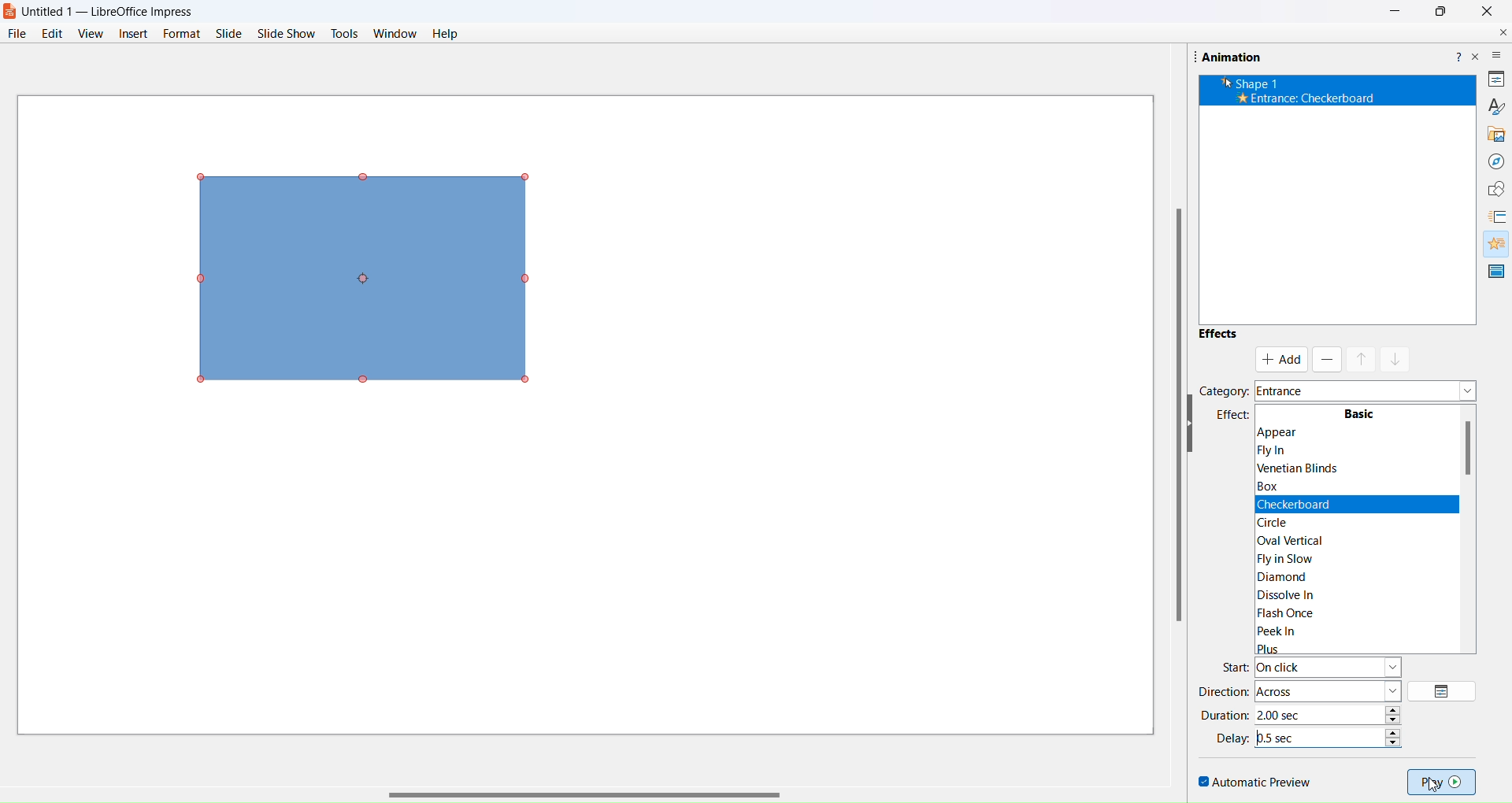 This screenshot has height=803, width=1512. What do you see at coordinates (1457, 54) in the screenshot?
I see `help` at bounding box center [1457, 54].